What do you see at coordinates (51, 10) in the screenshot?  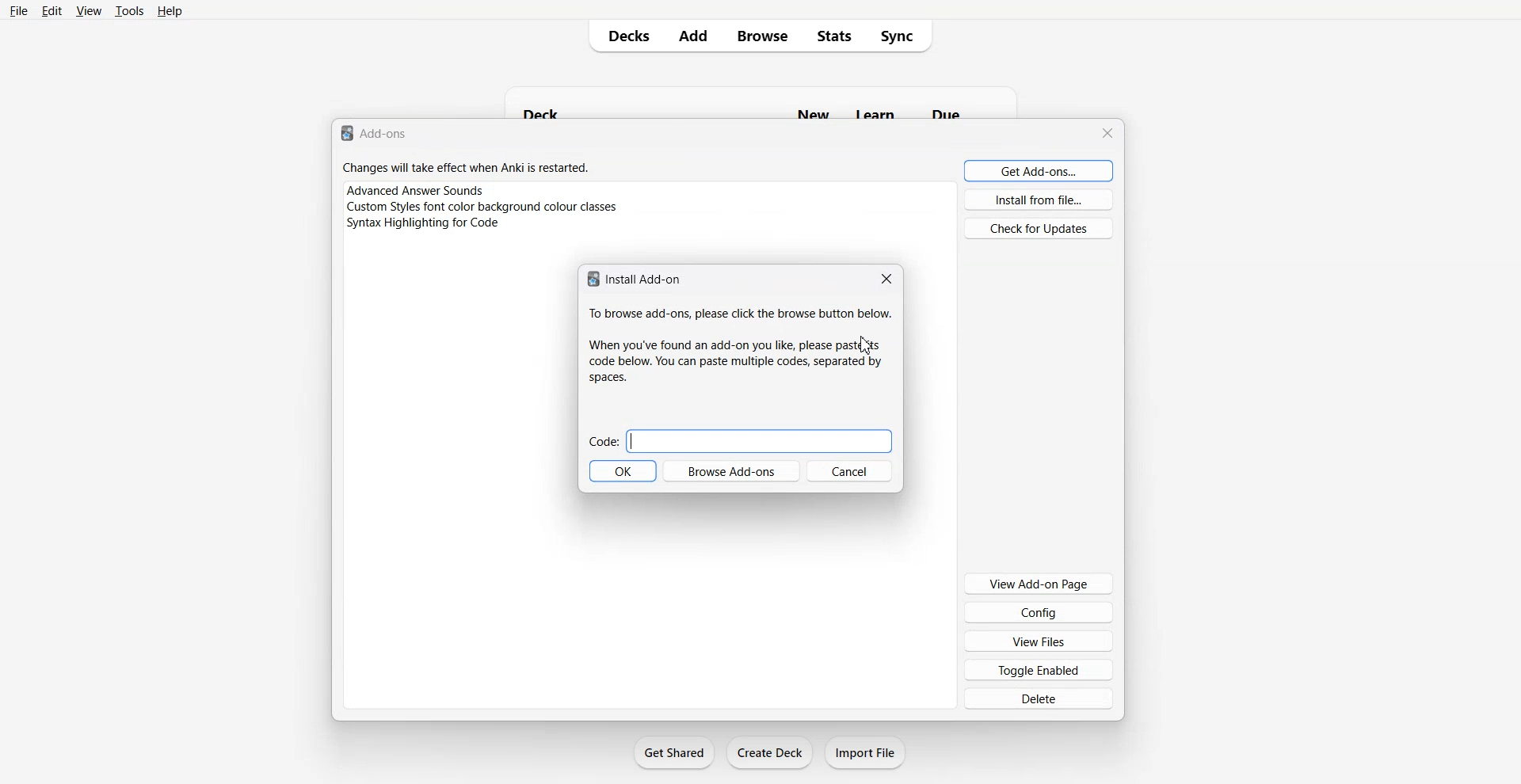 I see `Edit` at bounding box center [51, 10].